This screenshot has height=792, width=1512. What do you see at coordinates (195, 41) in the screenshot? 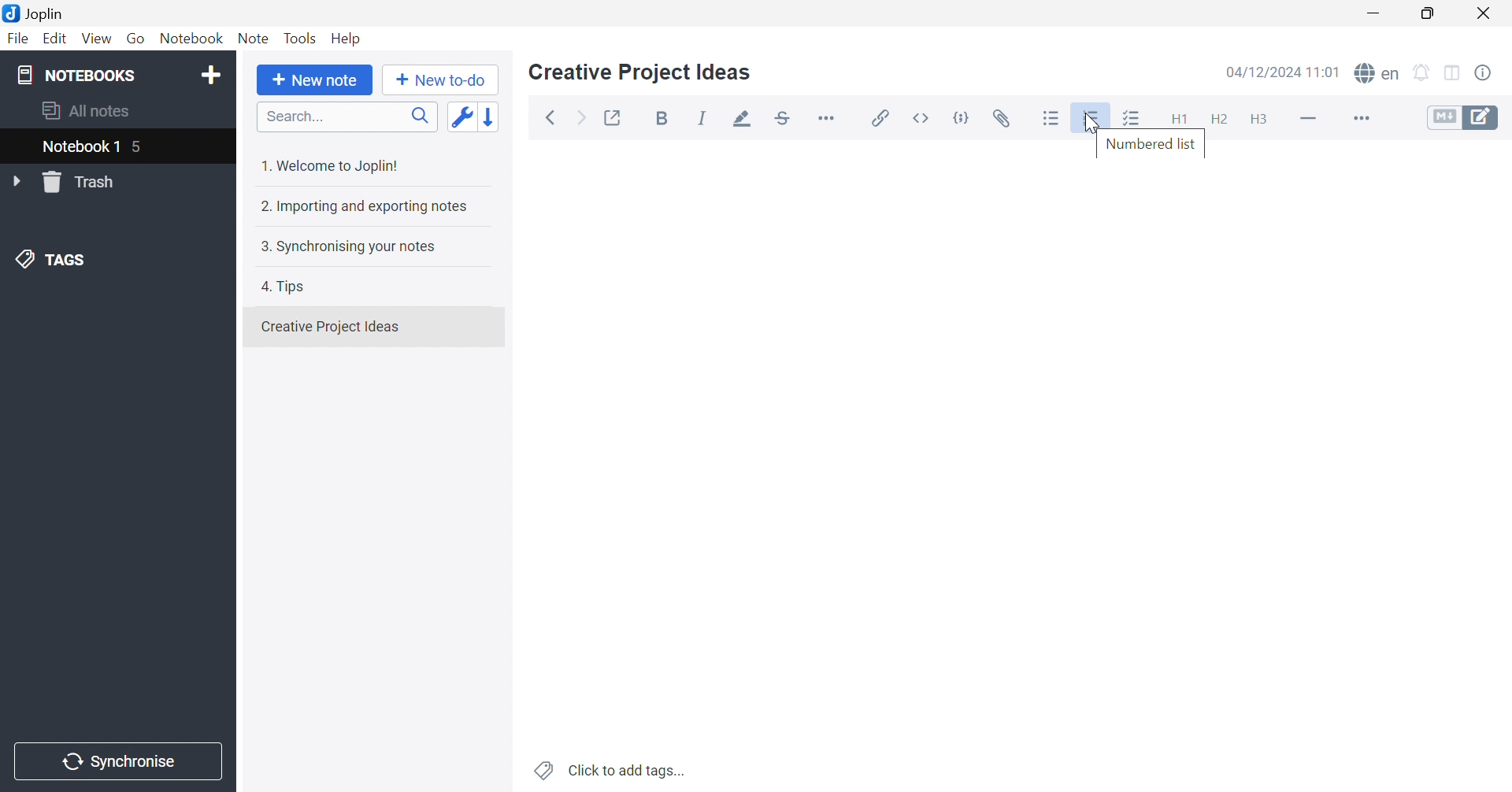
I see `Notebook` at bounding box center [195, 41].